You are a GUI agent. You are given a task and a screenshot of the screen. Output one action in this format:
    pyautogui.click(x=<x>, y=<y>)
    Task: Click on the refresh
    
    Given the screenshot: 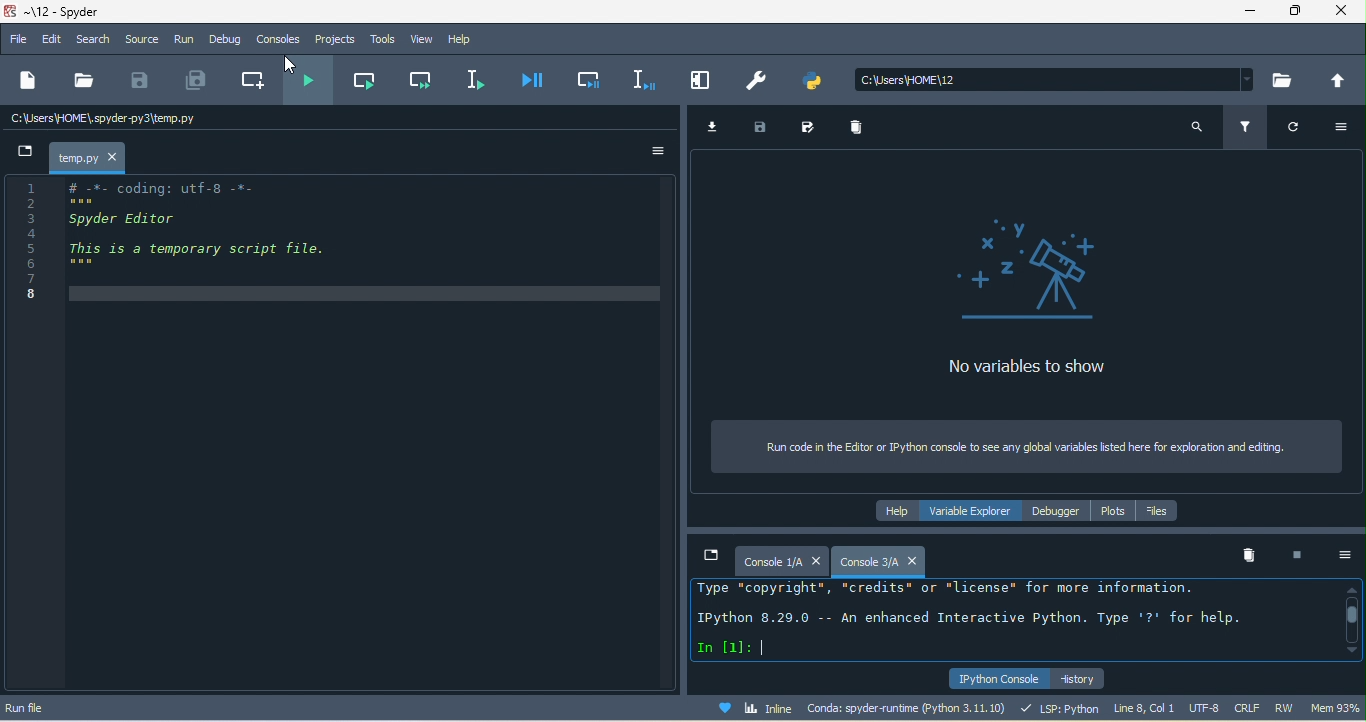 What is the action you would take?
    pyautogui.click(x=1301, y=132)
    